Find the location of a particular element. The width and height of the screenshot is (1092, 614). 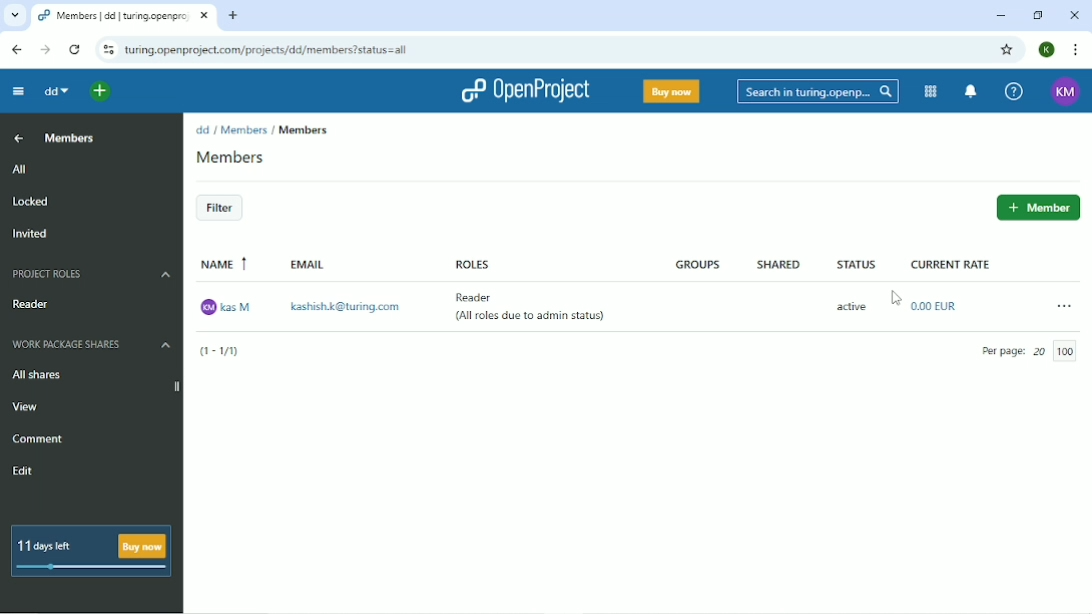

Reader is located at coordinates (481, 299).